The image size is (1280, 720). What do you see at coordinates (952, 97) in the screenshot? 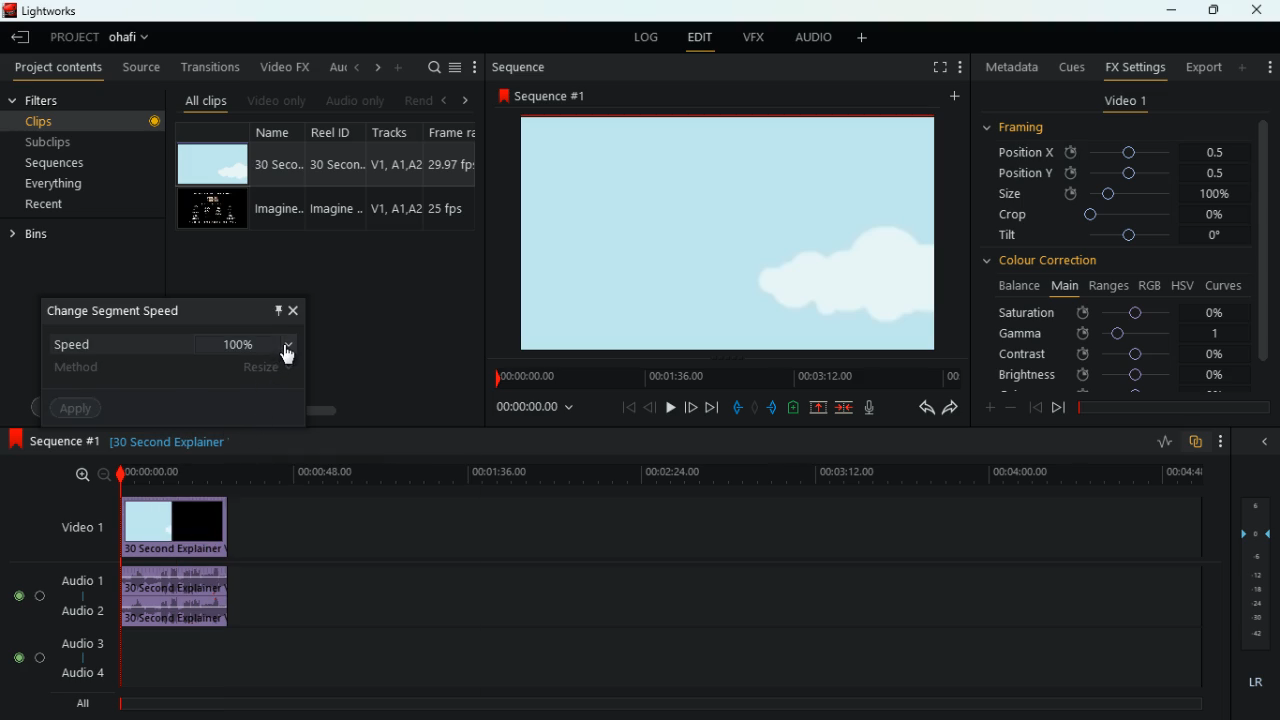
I see `more` at bounding box center [952, 97].